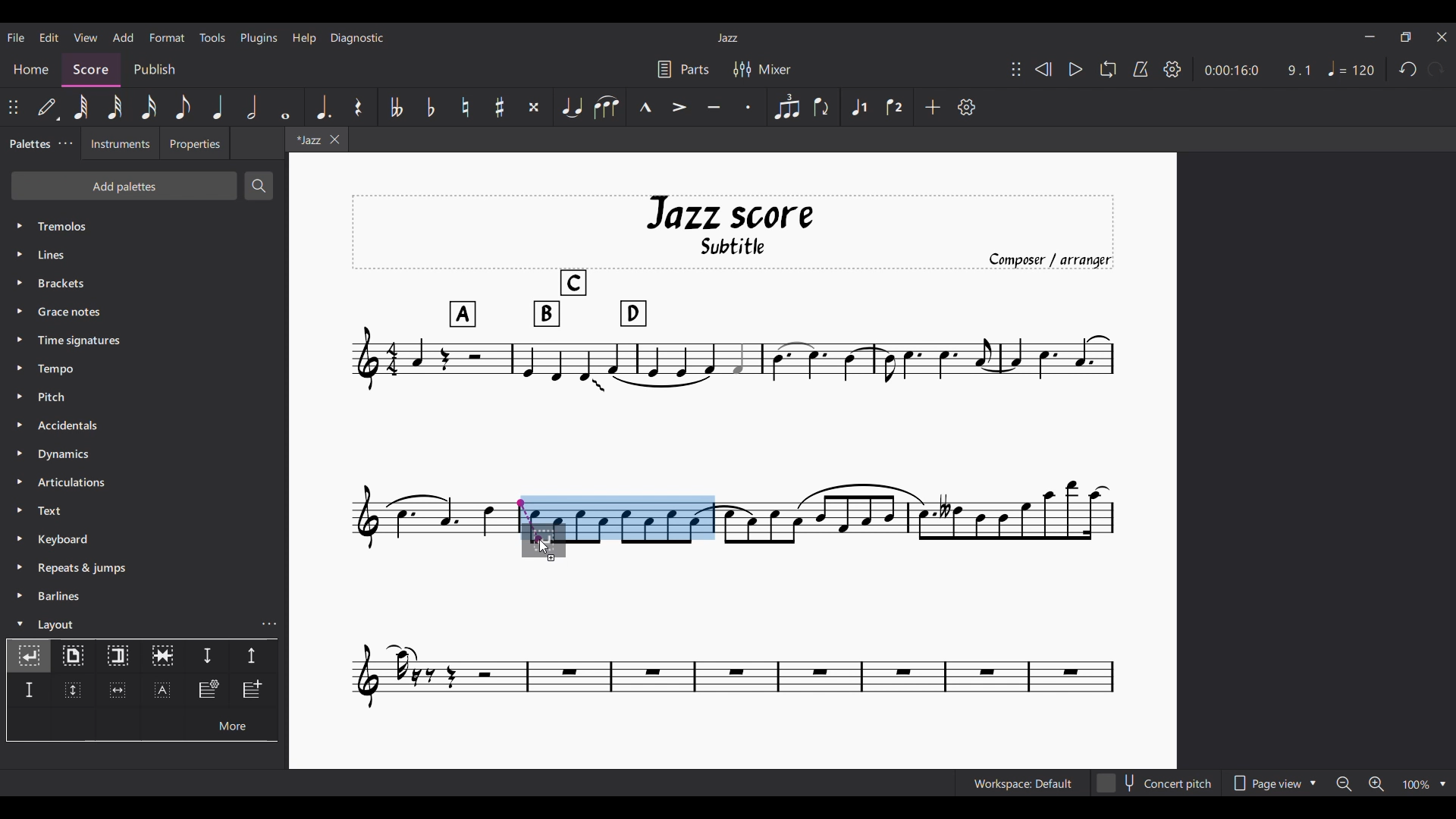 Image resolution: width=1456 pixels, height=819 pixels. What do you see at coordinates (145, 369) in the screenshot?
I see `Tempo` at bounding box center [145, 369].